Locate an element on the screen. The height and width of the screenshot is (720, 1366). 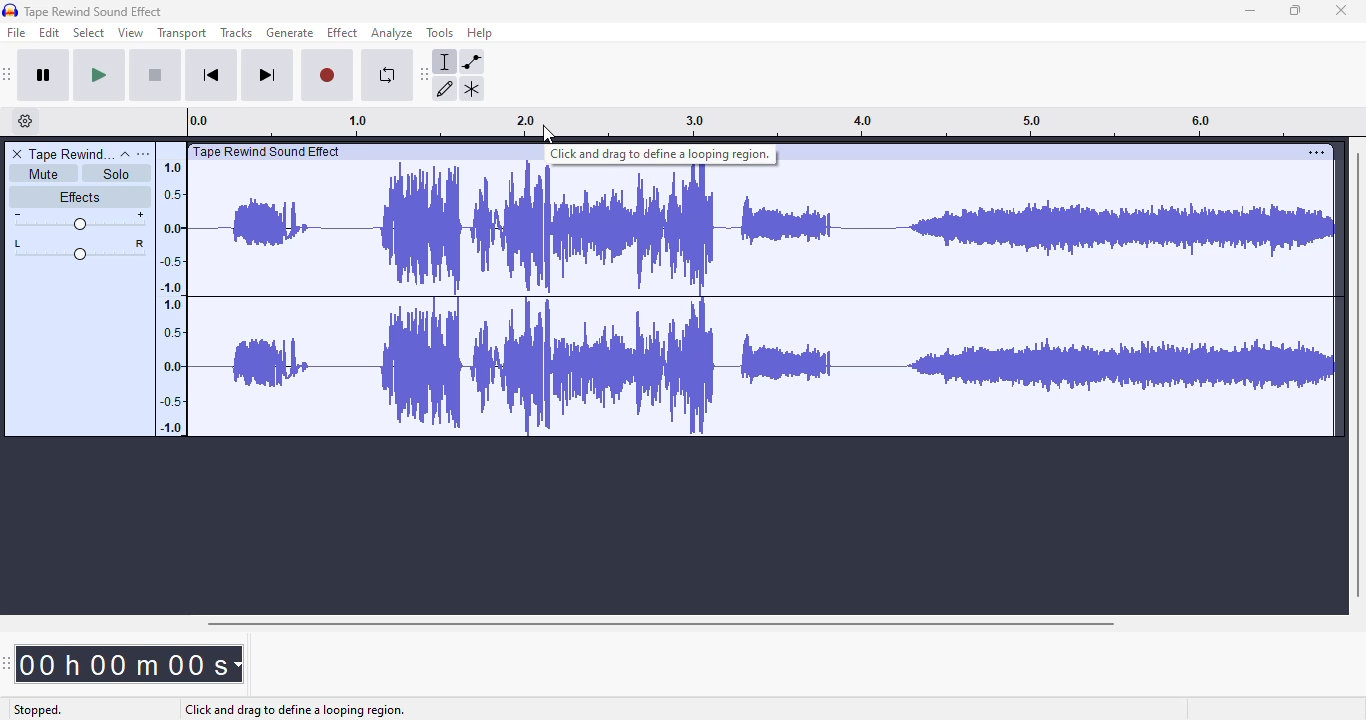
click and drag to define a looping region is located at coordinates (661, 154).